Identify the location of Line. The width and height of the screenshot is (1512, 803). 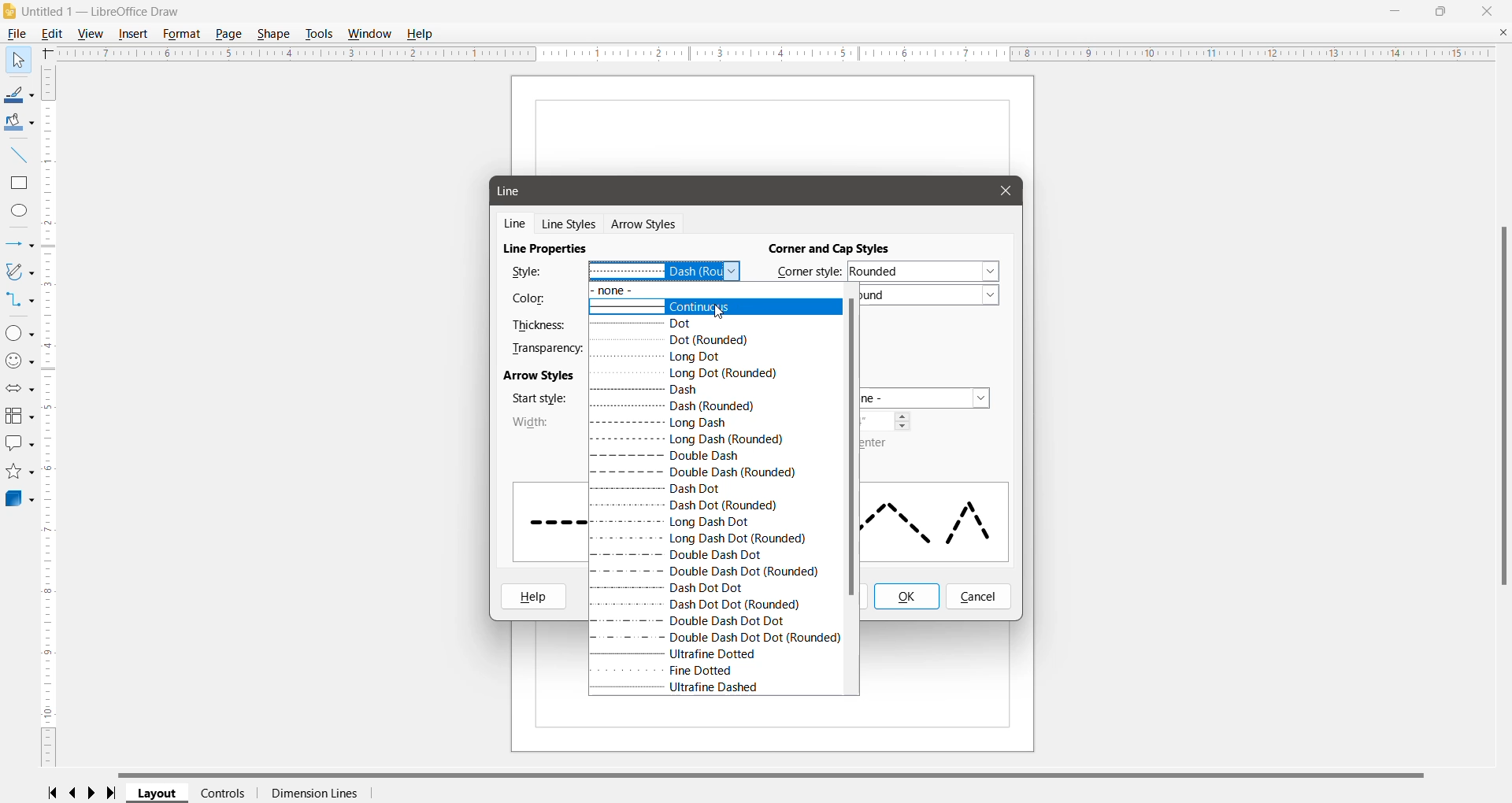
(518, 192).